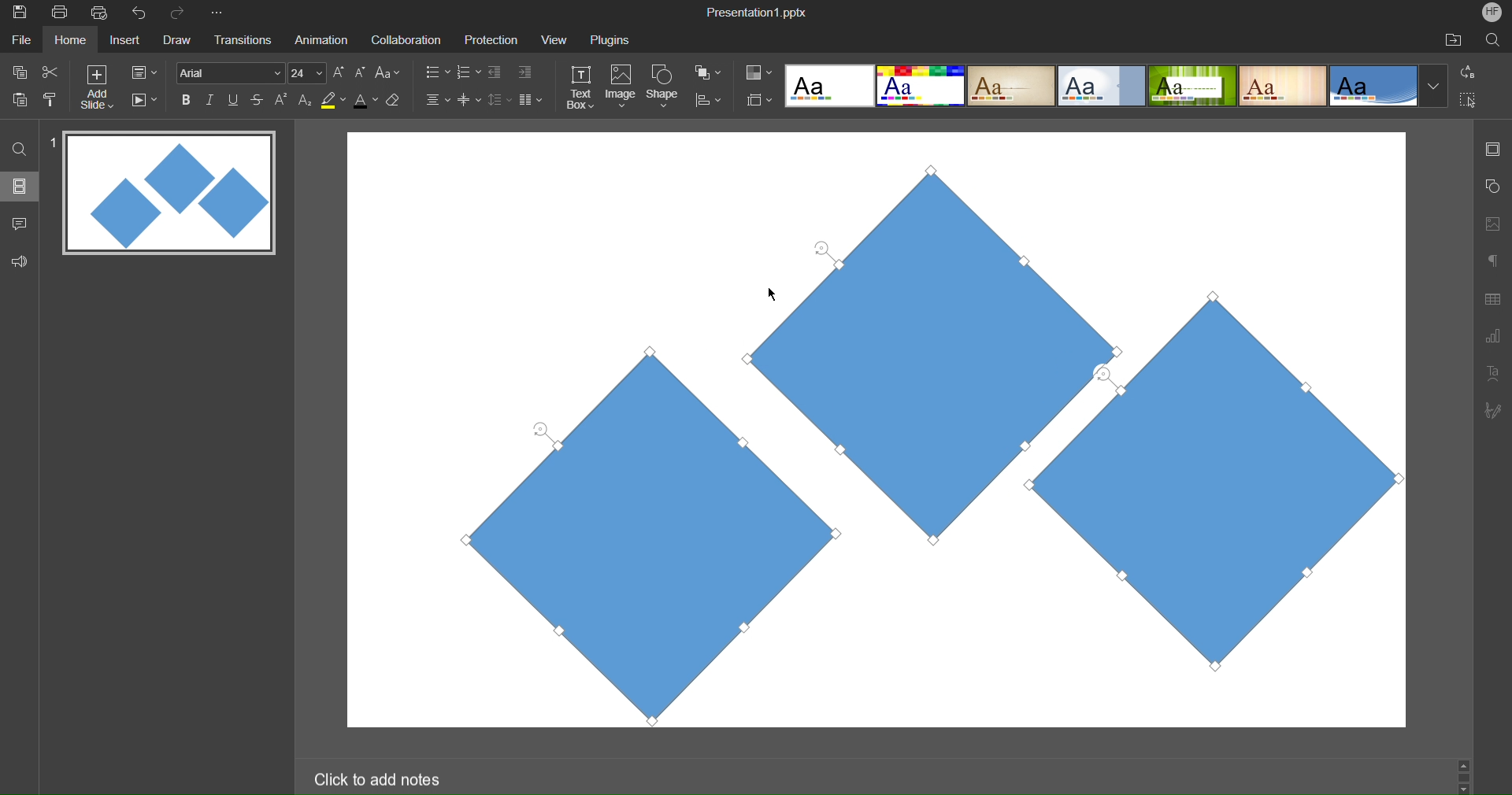 This screenshot has height=795, width=1512. What do you see at coordinates (709, 72) in the screenshot?
I see `Arrange` at bounding box center [709, 72].